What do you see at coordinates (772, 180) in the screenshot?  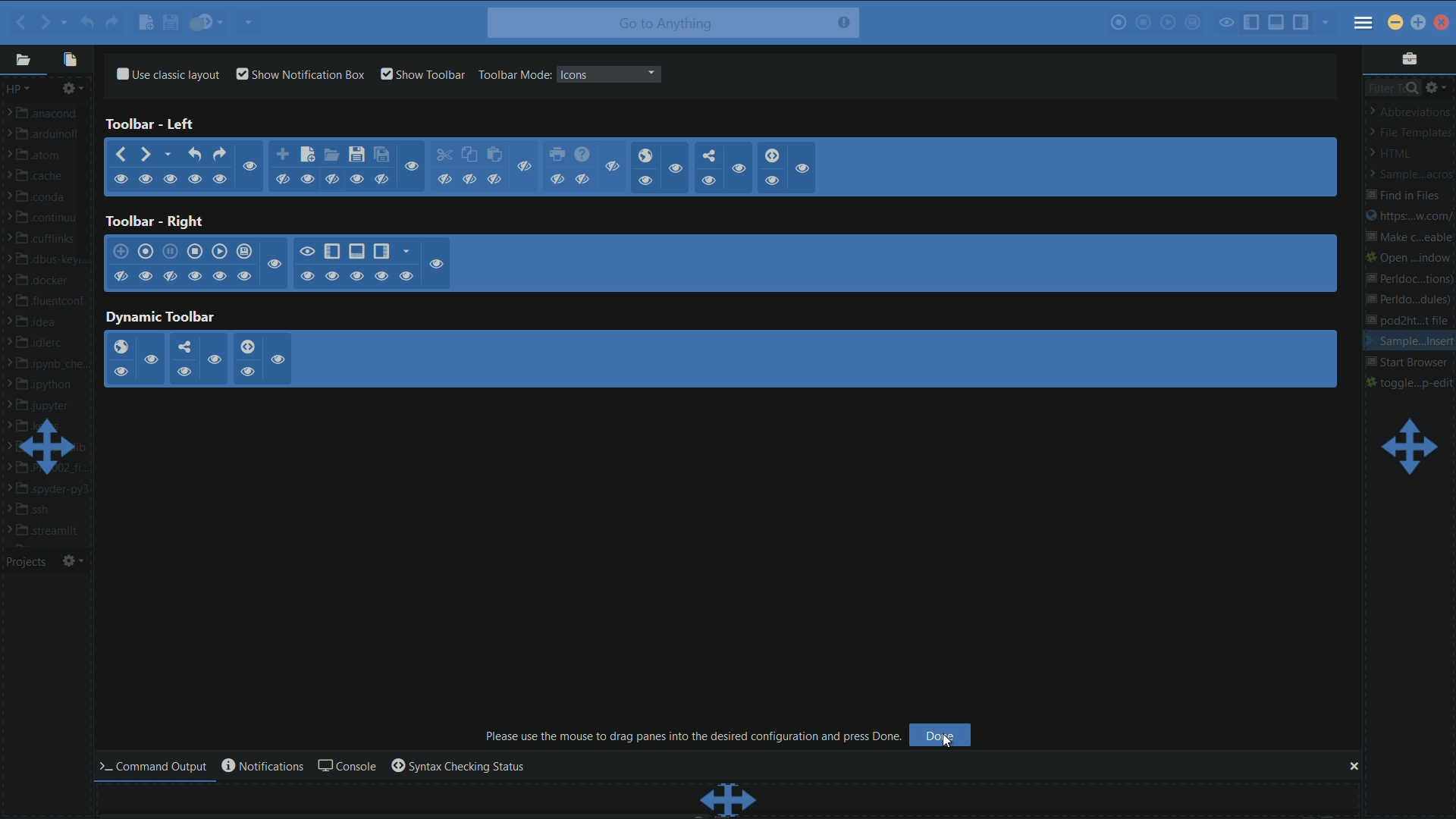 I see `show/hide` at bounding box center [772, 180].